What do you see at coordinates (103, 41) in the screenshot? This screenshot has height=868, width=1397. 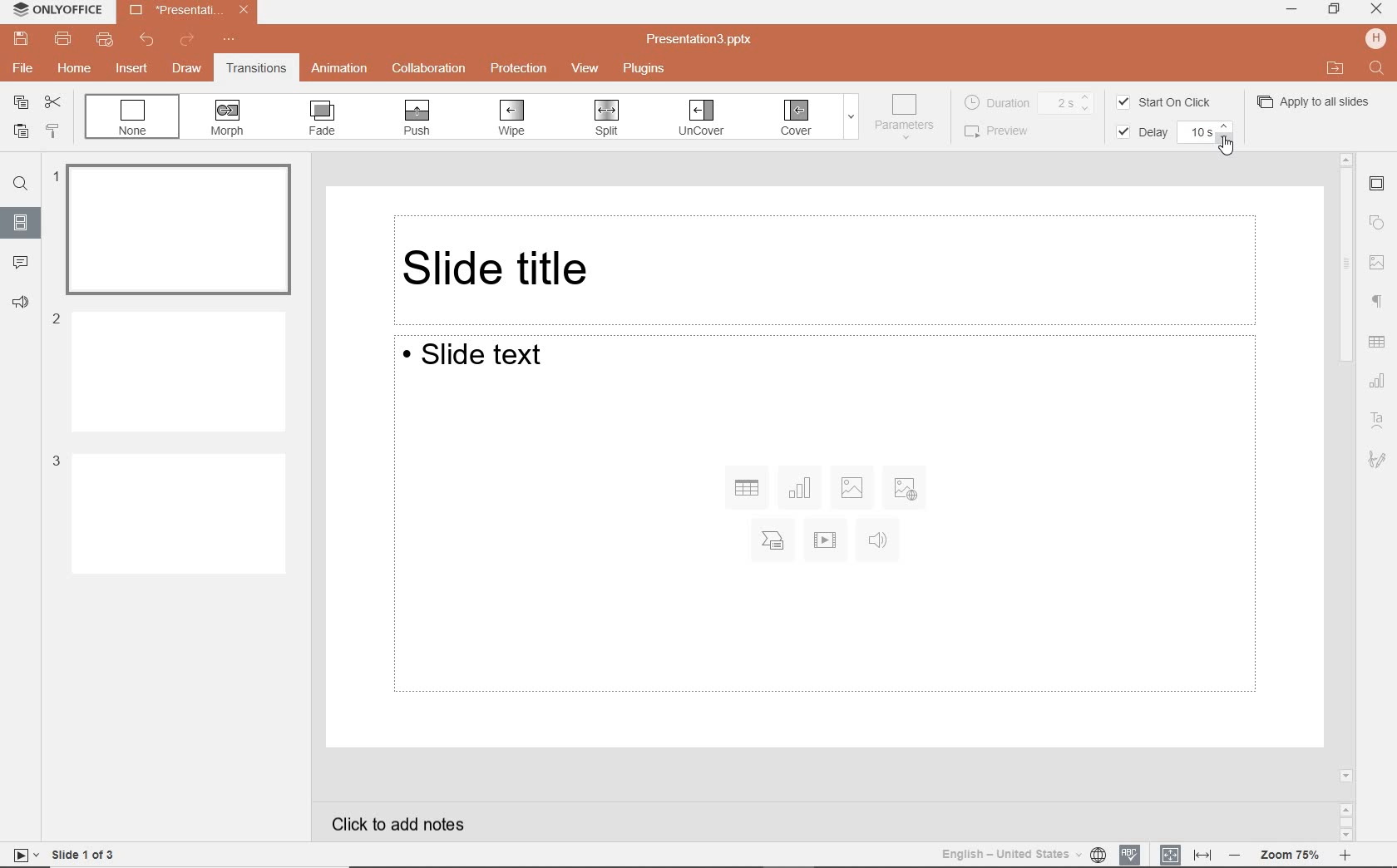 I see `quick print` at bounding box center [103, 41].